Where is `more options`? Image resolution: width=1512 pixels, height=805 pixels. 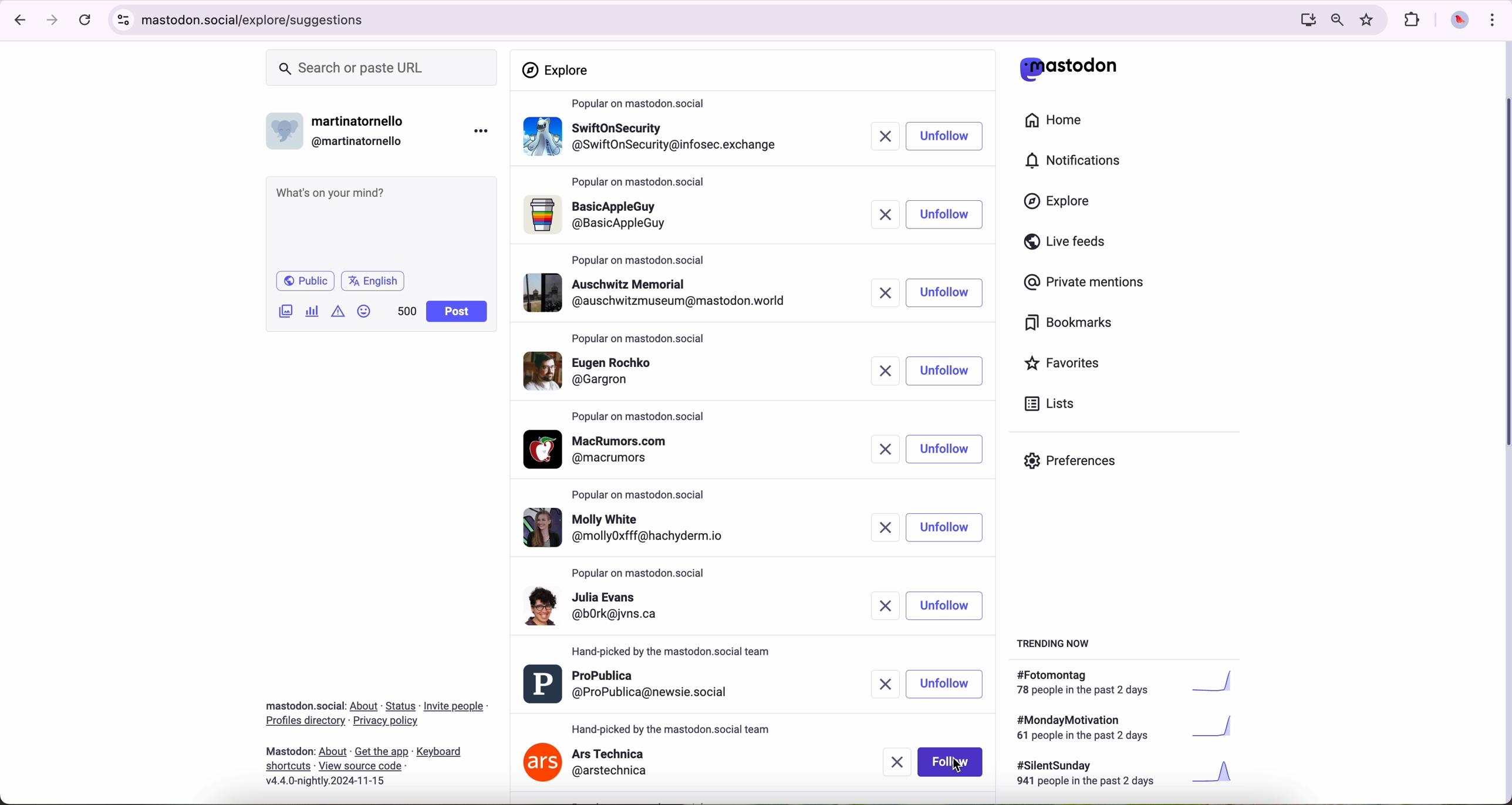
more options is located at coordinates (484, 130).